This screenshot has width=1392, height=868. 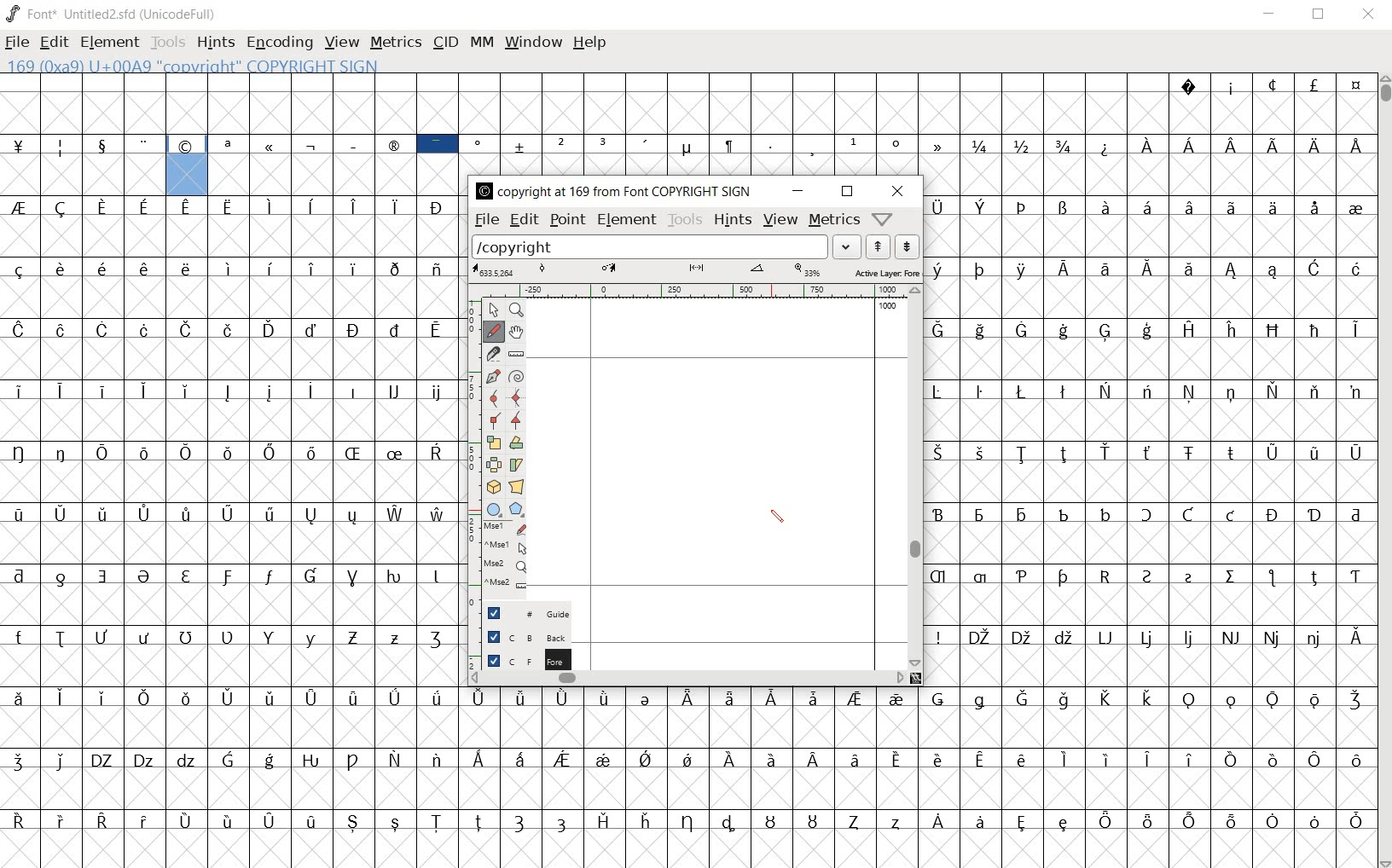 I want to click on background layer, so click(x=519, y=637).